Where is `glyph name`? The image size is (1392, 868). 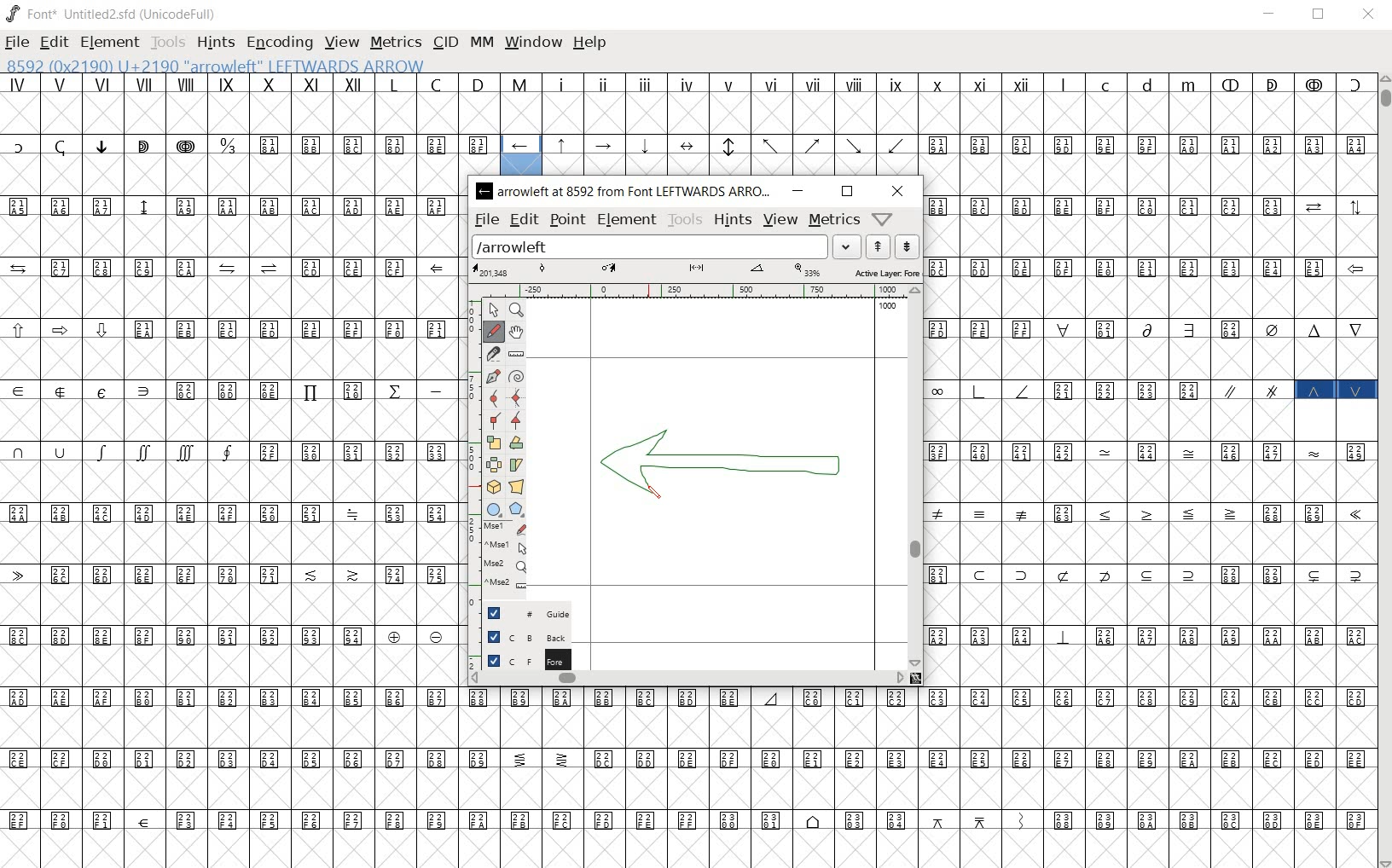
glyph name is located at coordinates (625, 192).